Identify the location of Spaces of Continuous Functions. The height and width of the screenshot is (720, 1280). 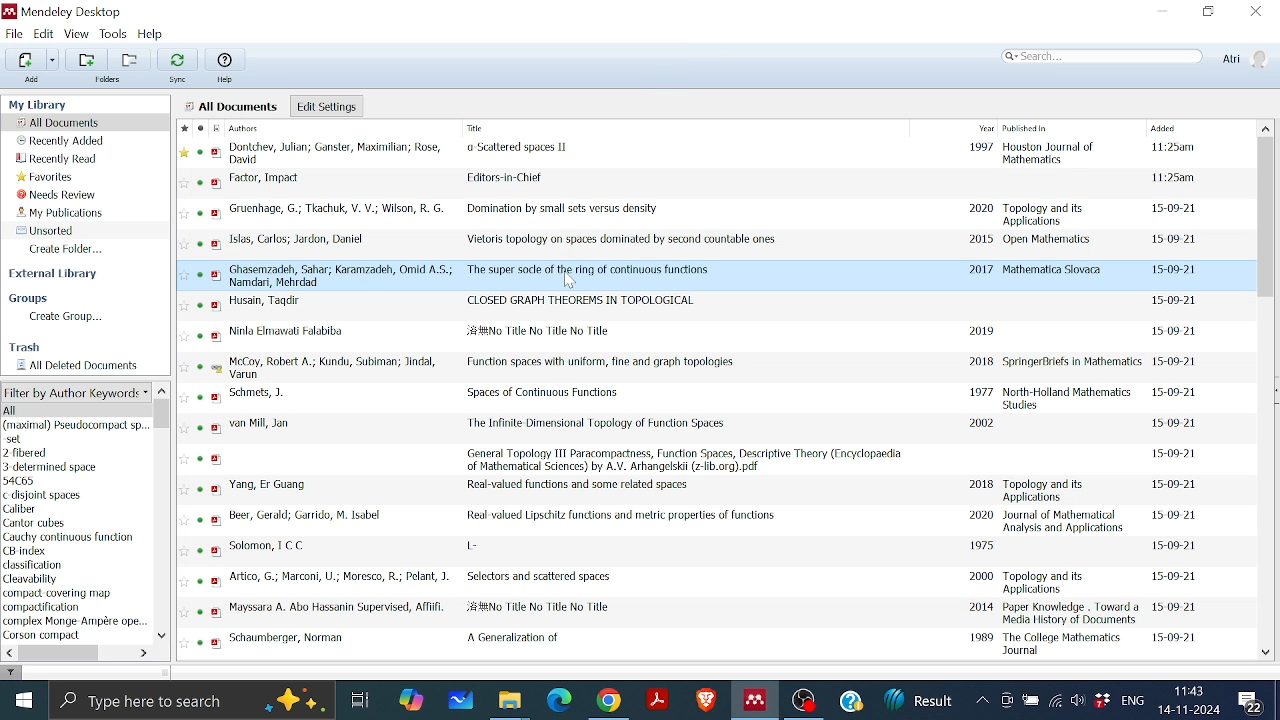
(708, 396).